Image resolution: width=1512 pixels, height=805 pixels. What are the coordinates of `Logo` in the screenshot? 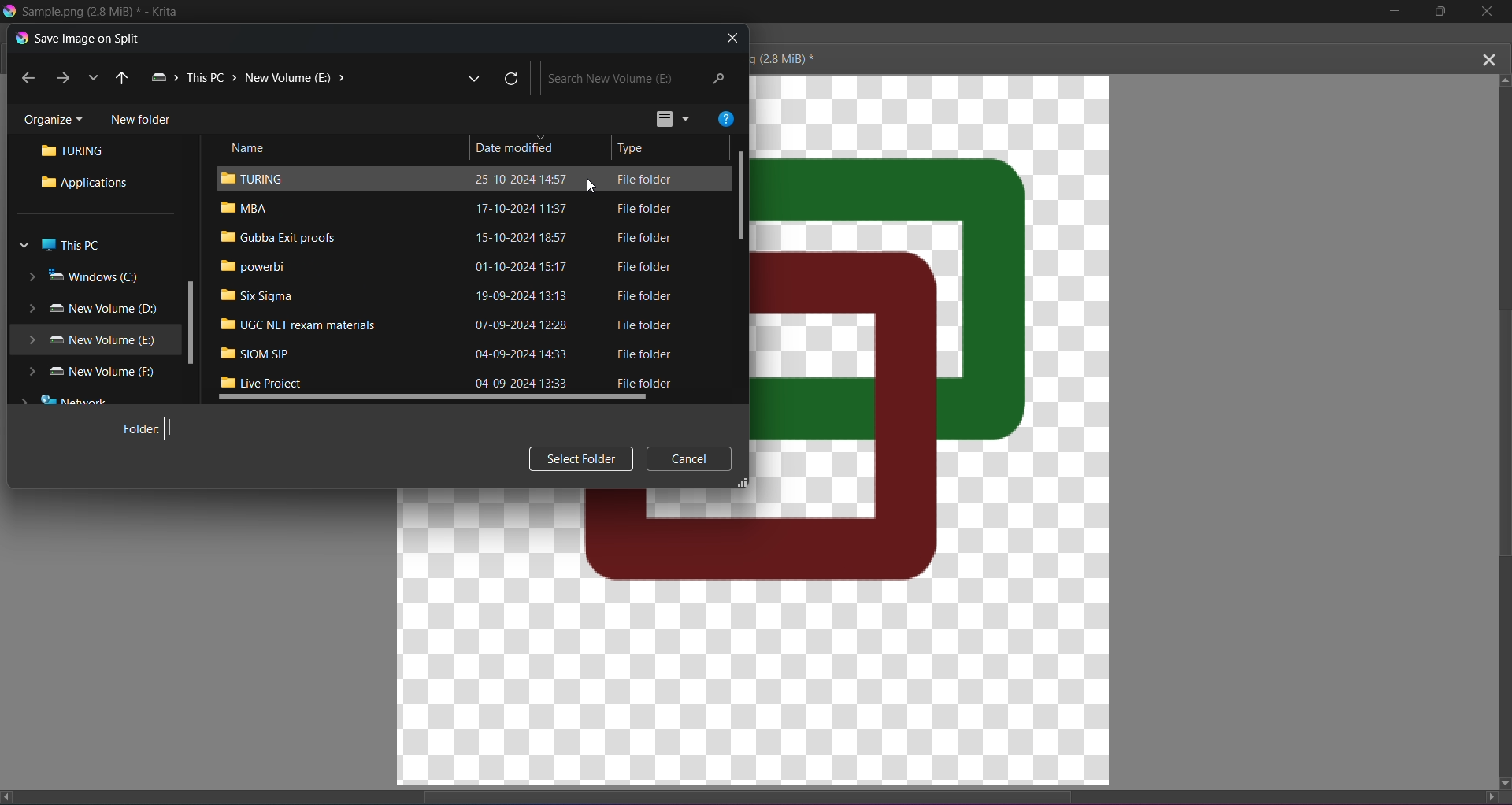 It's located at (9, 10).